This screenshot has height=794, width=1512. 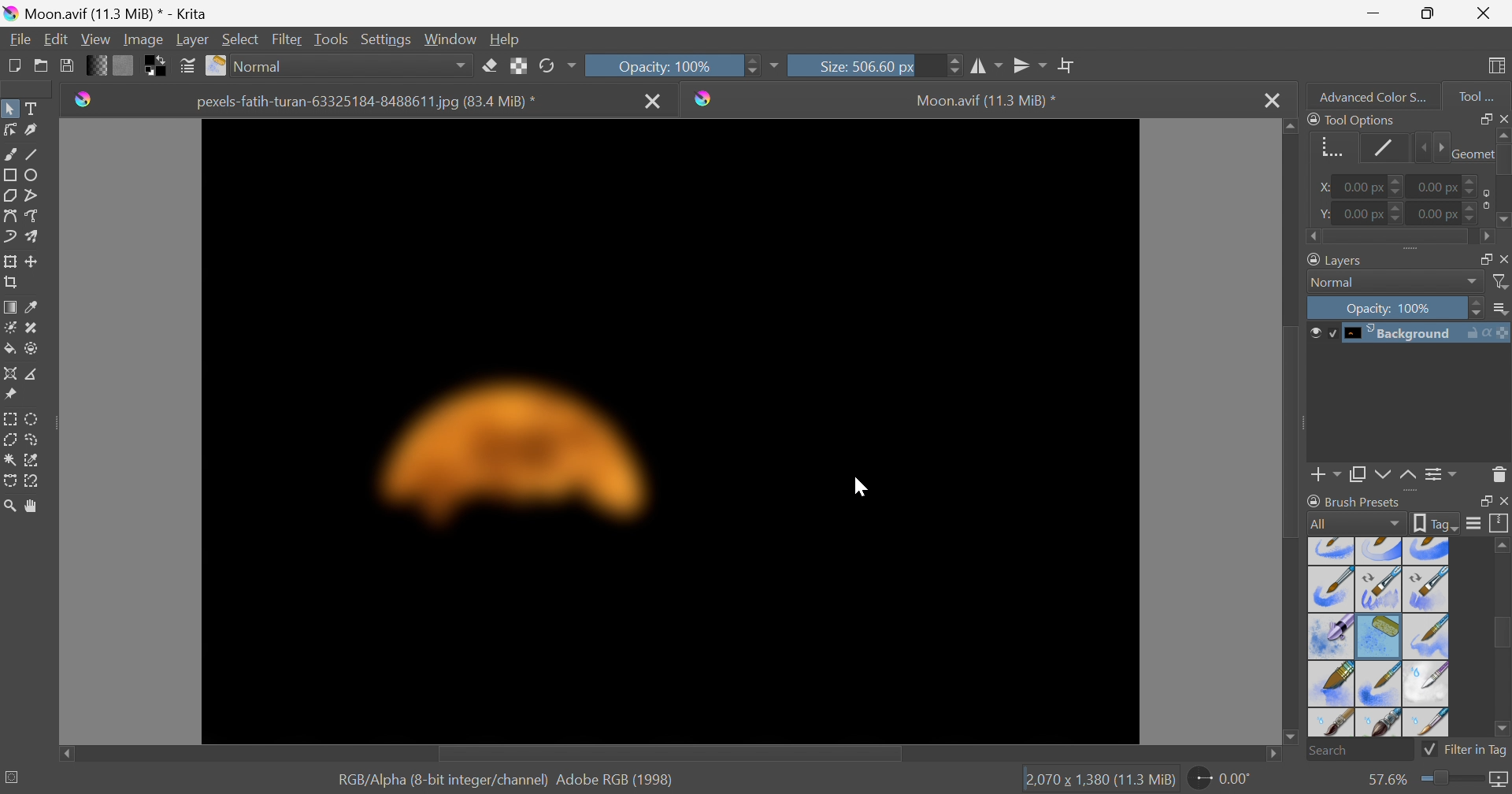 I want to click on Close, so click(x=1503, y=118).